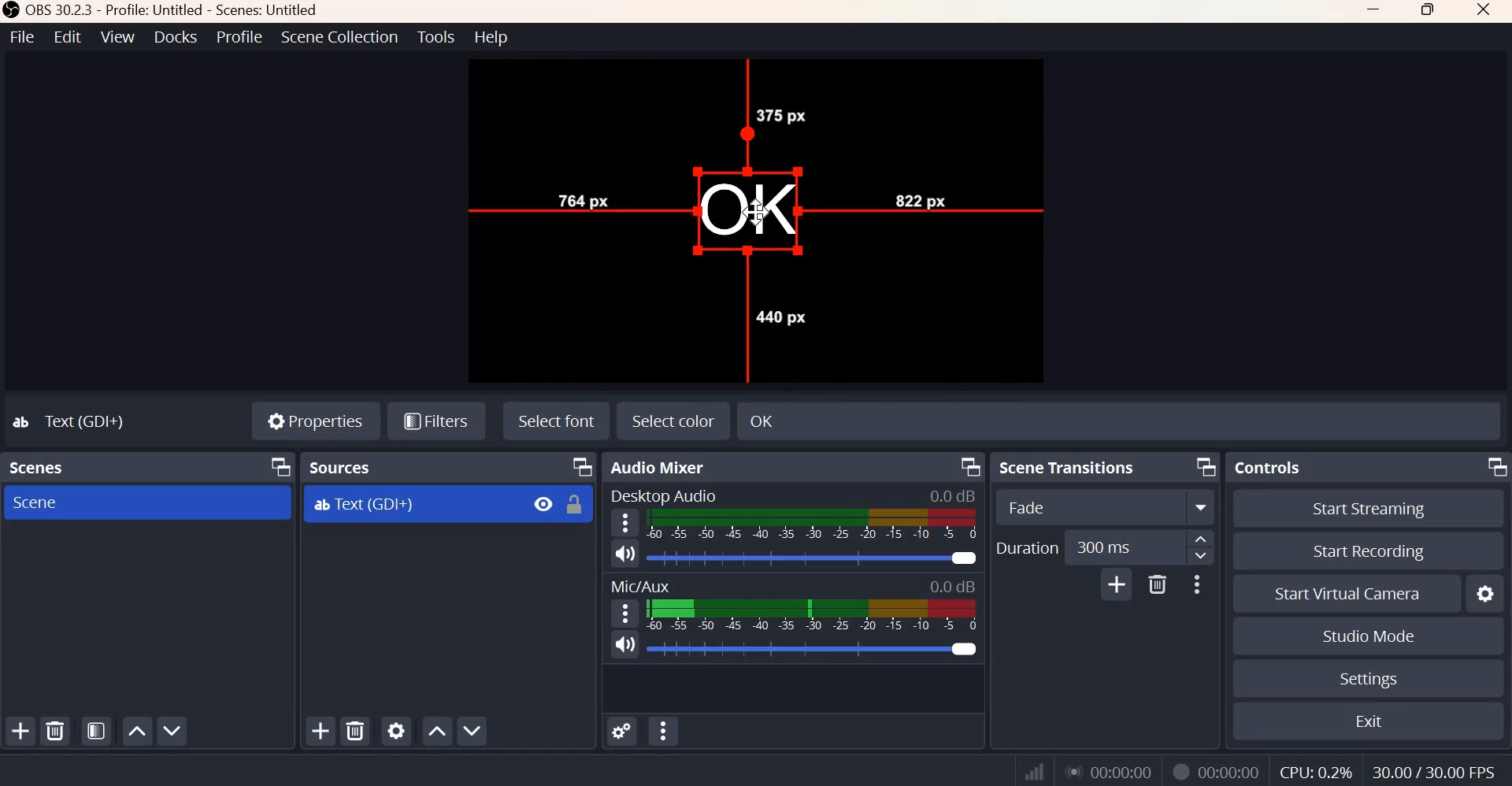 The height and width of the screenshot is (786, 1512). What do you see at coordinates (971, 467) in the screenshot?
I see `Dock Options icon` at bounding box center [971, 467].